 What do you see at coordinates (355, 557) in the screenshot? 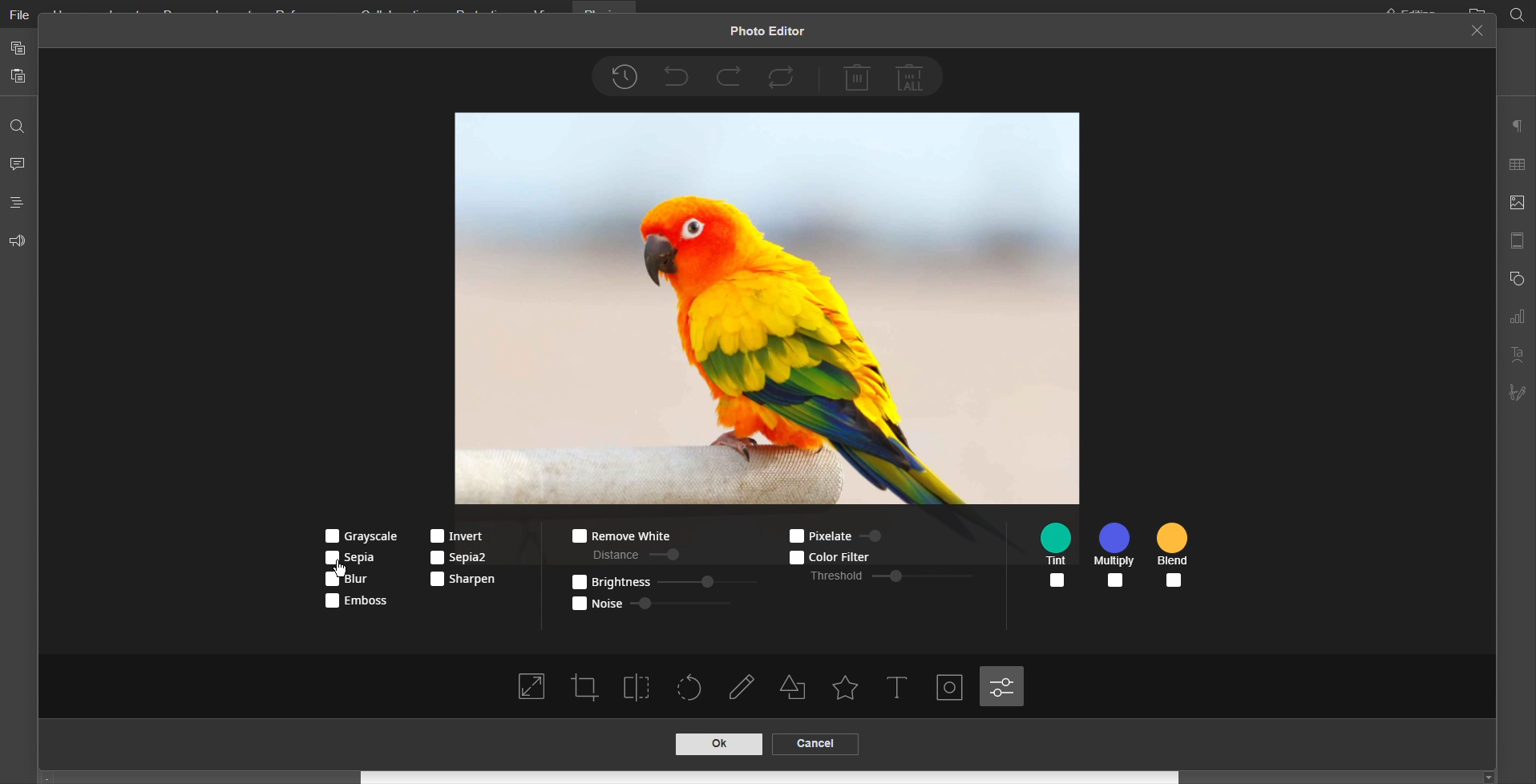
I see `Sepia` at bounding box center [355, 557].